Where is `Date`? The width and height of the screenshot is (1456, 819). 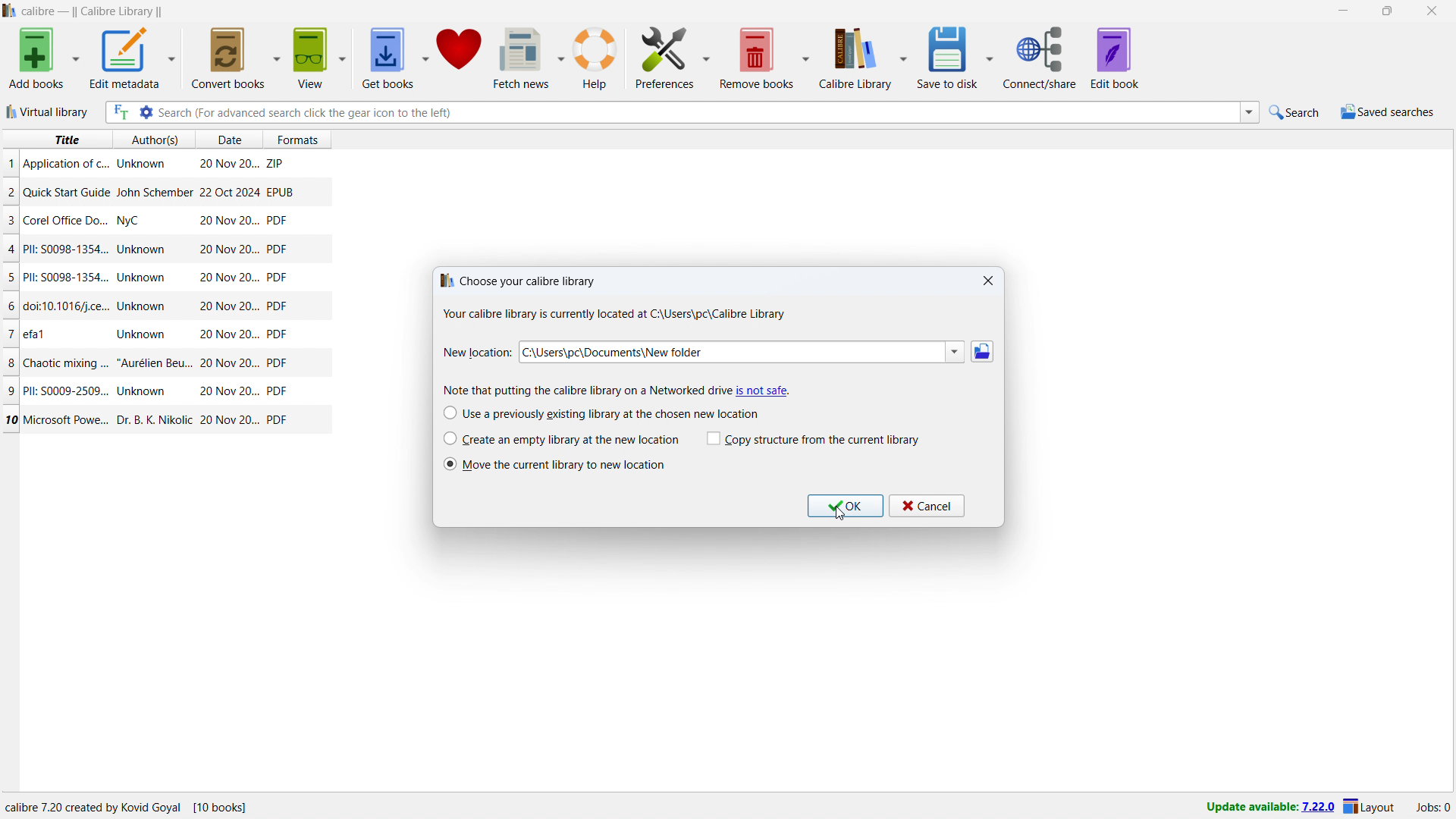
Date is located at coordinates (227, 391).